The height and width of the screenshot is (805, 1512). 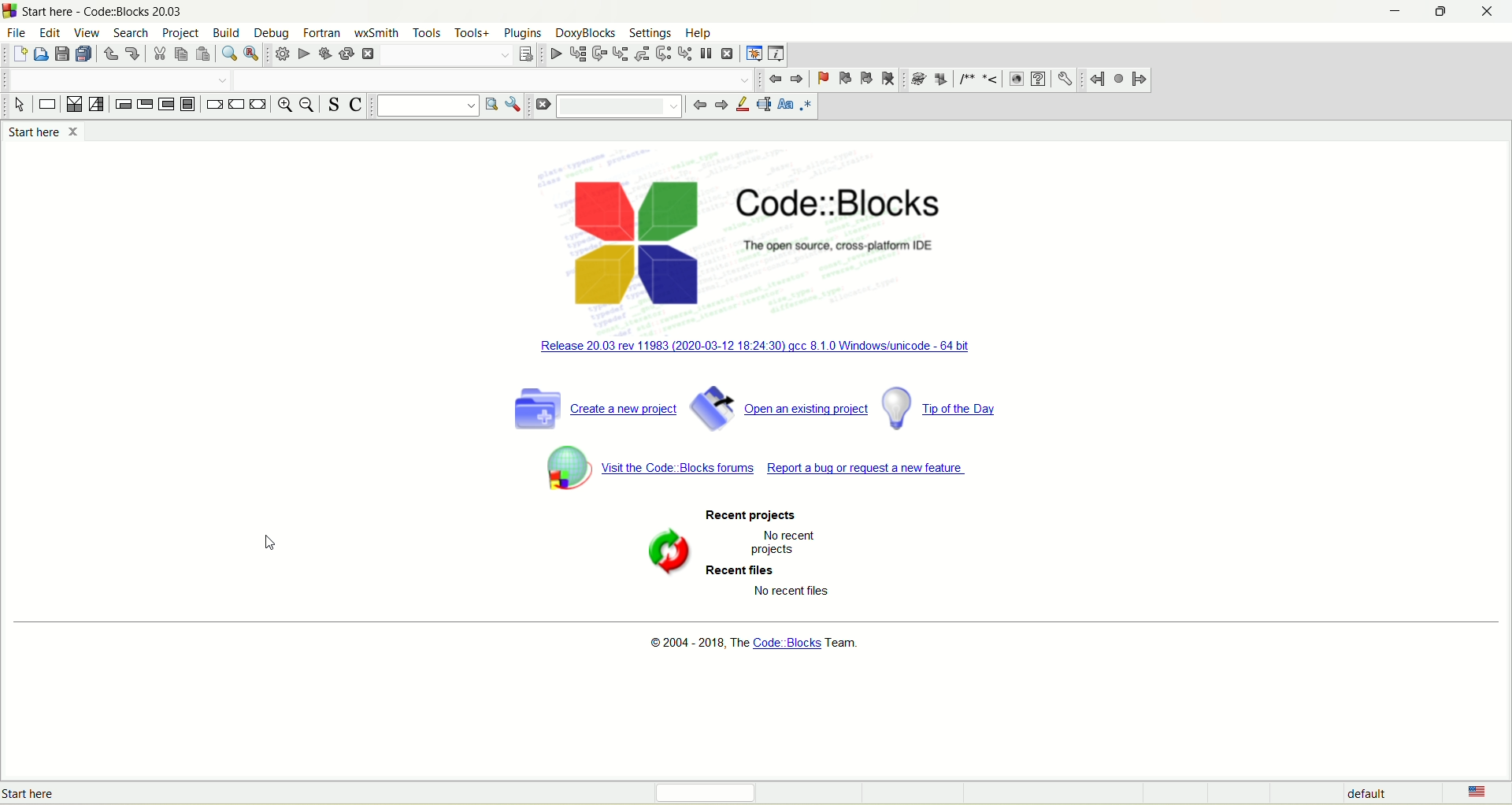 What do you see at coordinates (97, 104) in the screenshot?
I see `selection` at bounding box center [97, 104].